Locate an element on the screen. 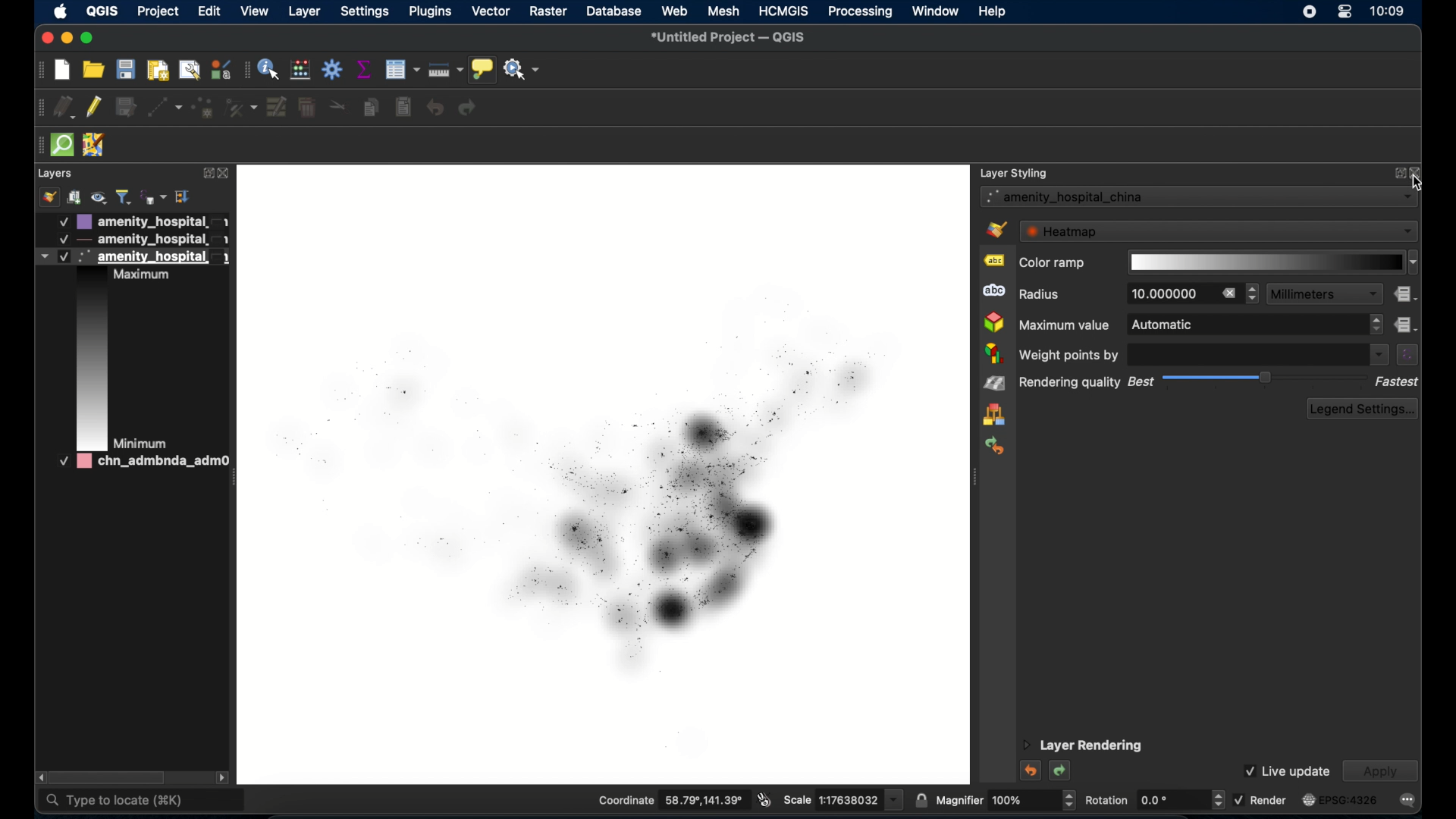 Image resolution: width=1456 pixels, height=819 pixels. heat map dropdown  is located at coordinates (1220, 231).